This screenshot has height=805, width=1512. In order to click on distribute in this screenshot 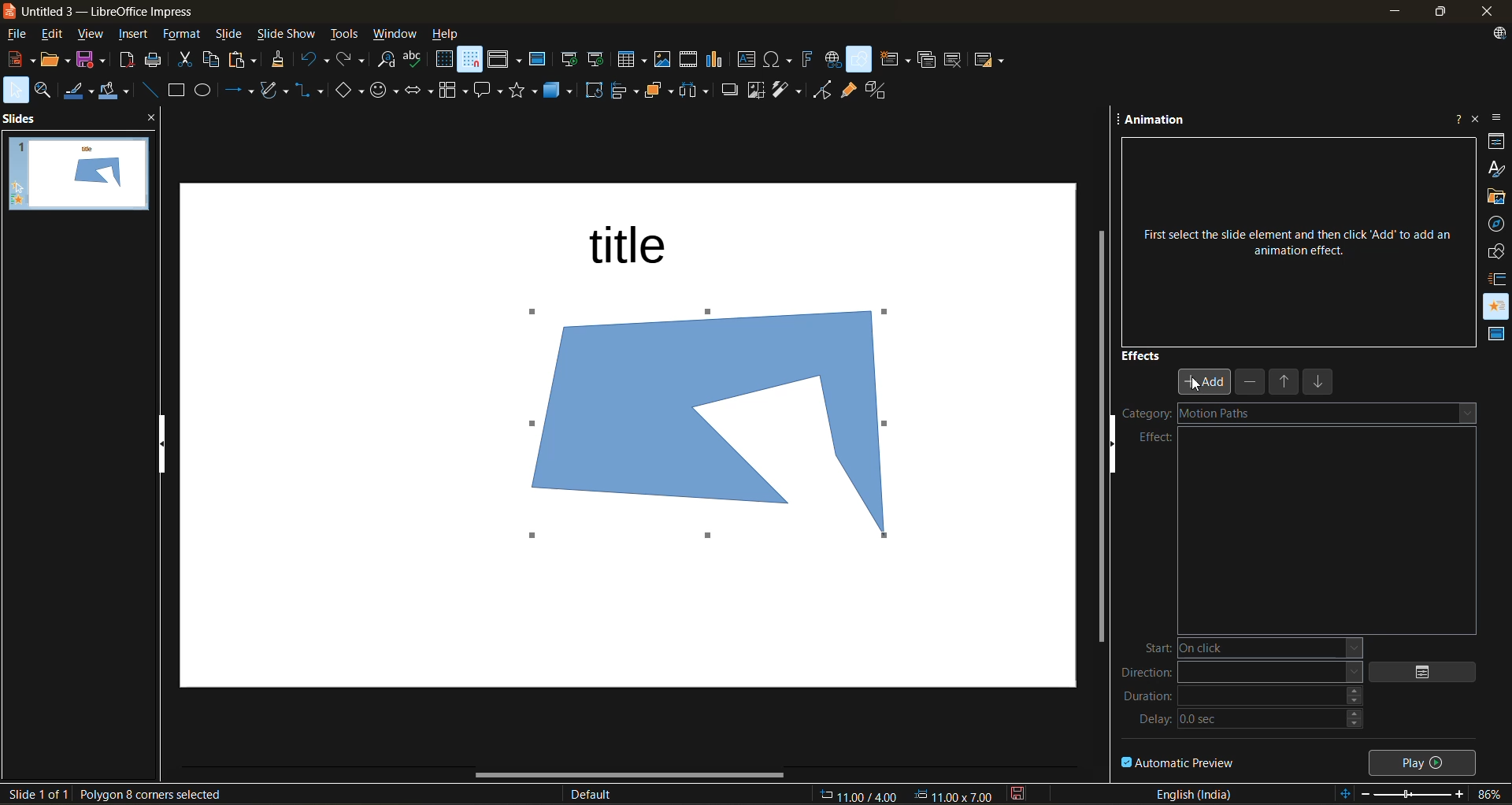, I will do `click(697, 91)`.